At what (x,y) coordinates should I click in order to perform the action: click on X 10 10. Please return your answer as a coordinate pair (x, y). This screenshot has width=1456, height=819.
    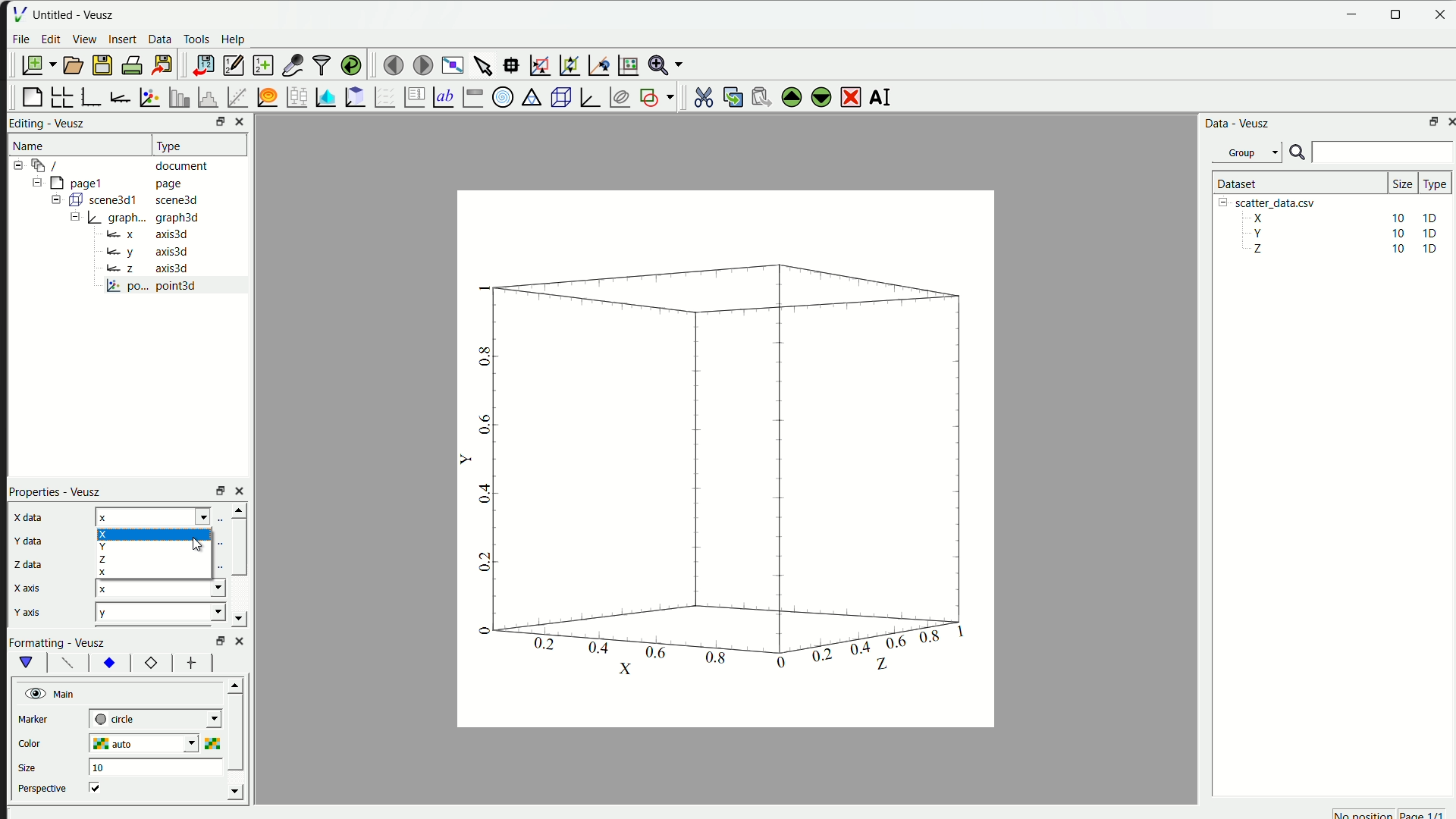
    Looking at the image, I should click on (1339, 217).